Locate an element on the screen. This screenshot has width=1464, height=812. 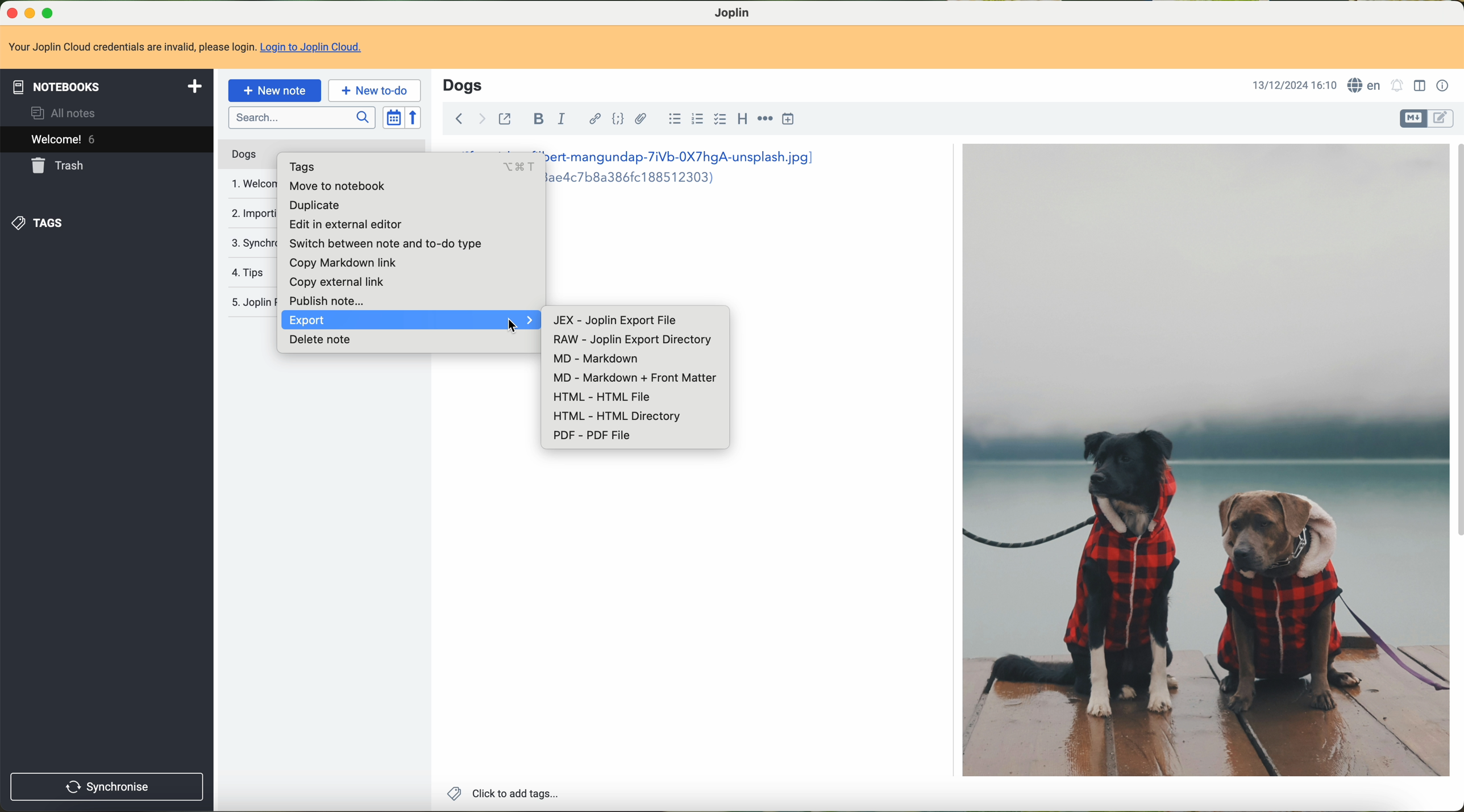
code is located at coordinates (619, 120).